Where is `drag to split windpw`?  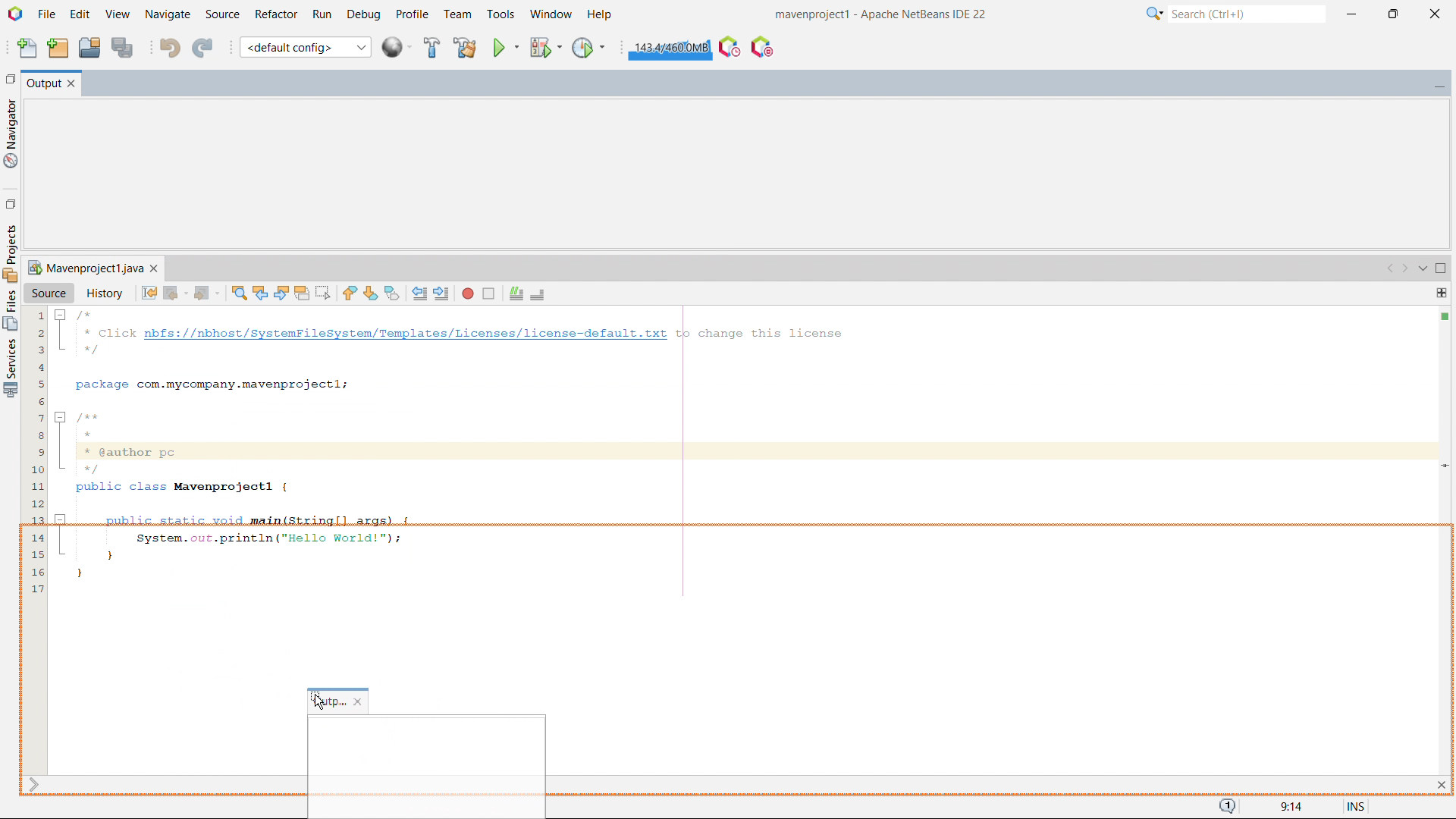
drag to split windpw is located at coordinates (1441, 293).